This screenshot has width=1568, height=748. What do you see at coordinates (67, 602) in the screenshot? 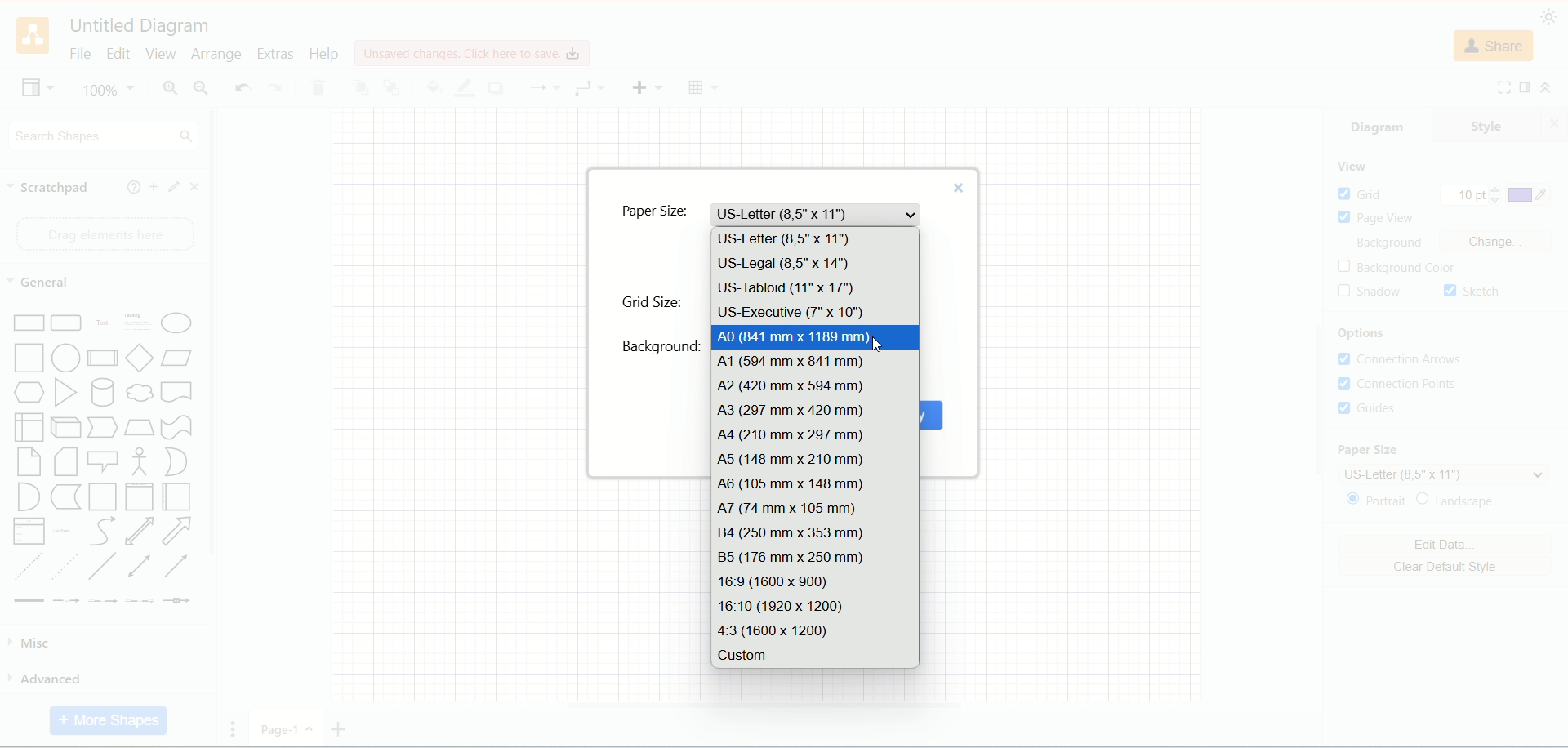
I see `Connector with Label` at bounding box center [67, 602].